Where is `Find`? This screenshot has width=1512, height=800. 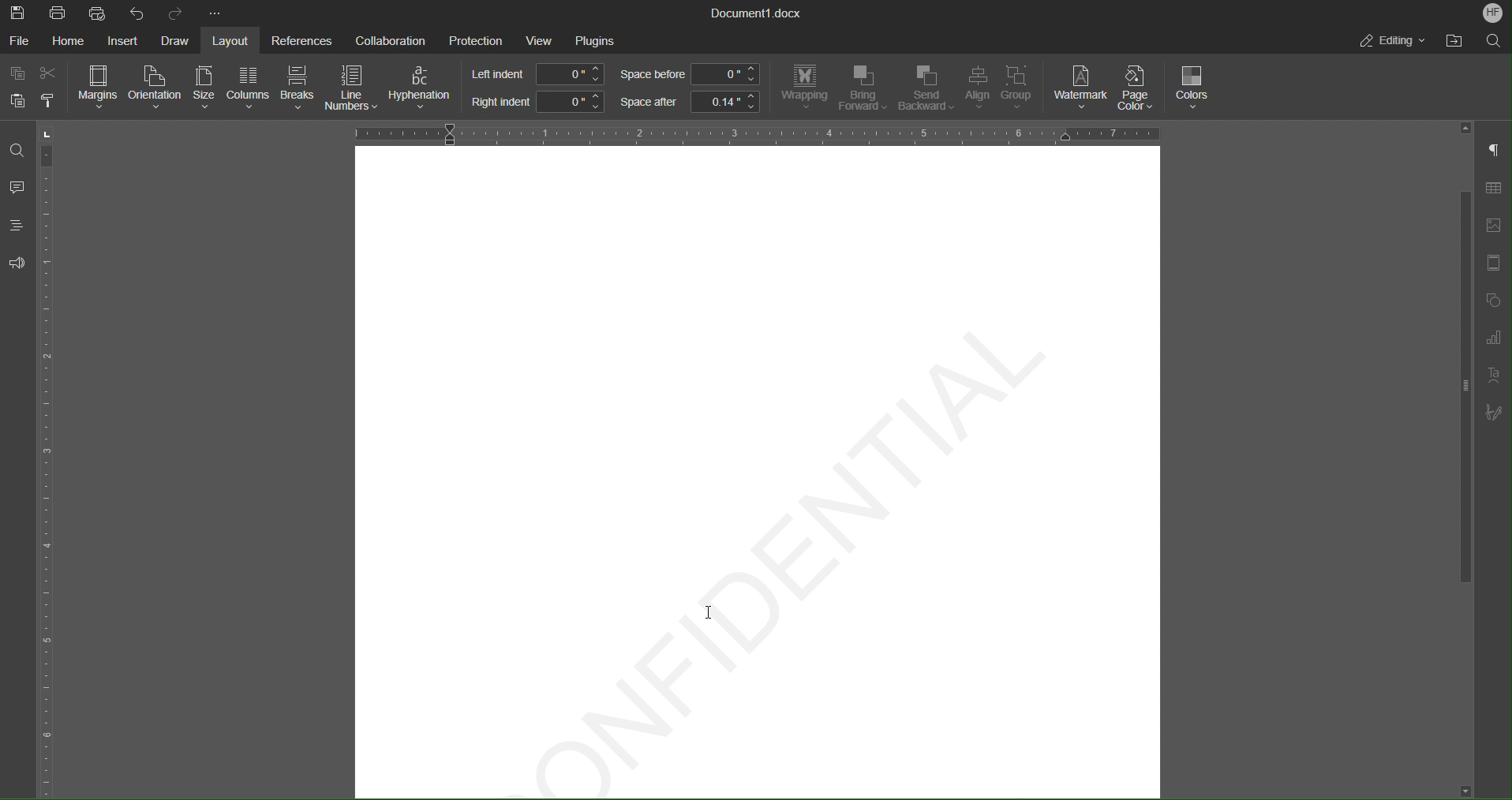
Find is located at coordinates (16, 150).